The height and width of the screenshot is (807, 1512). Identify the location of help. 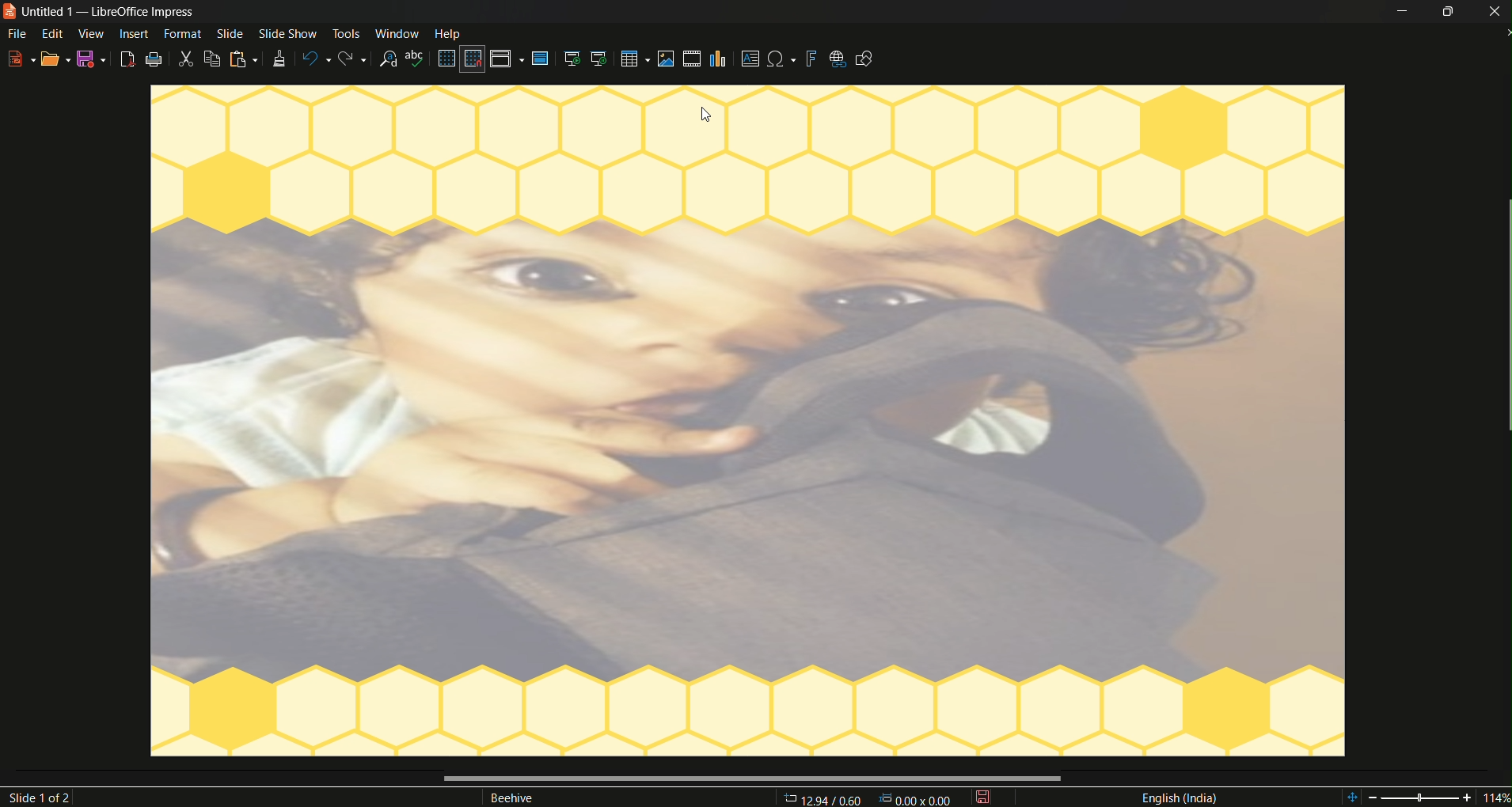
(452, 33).